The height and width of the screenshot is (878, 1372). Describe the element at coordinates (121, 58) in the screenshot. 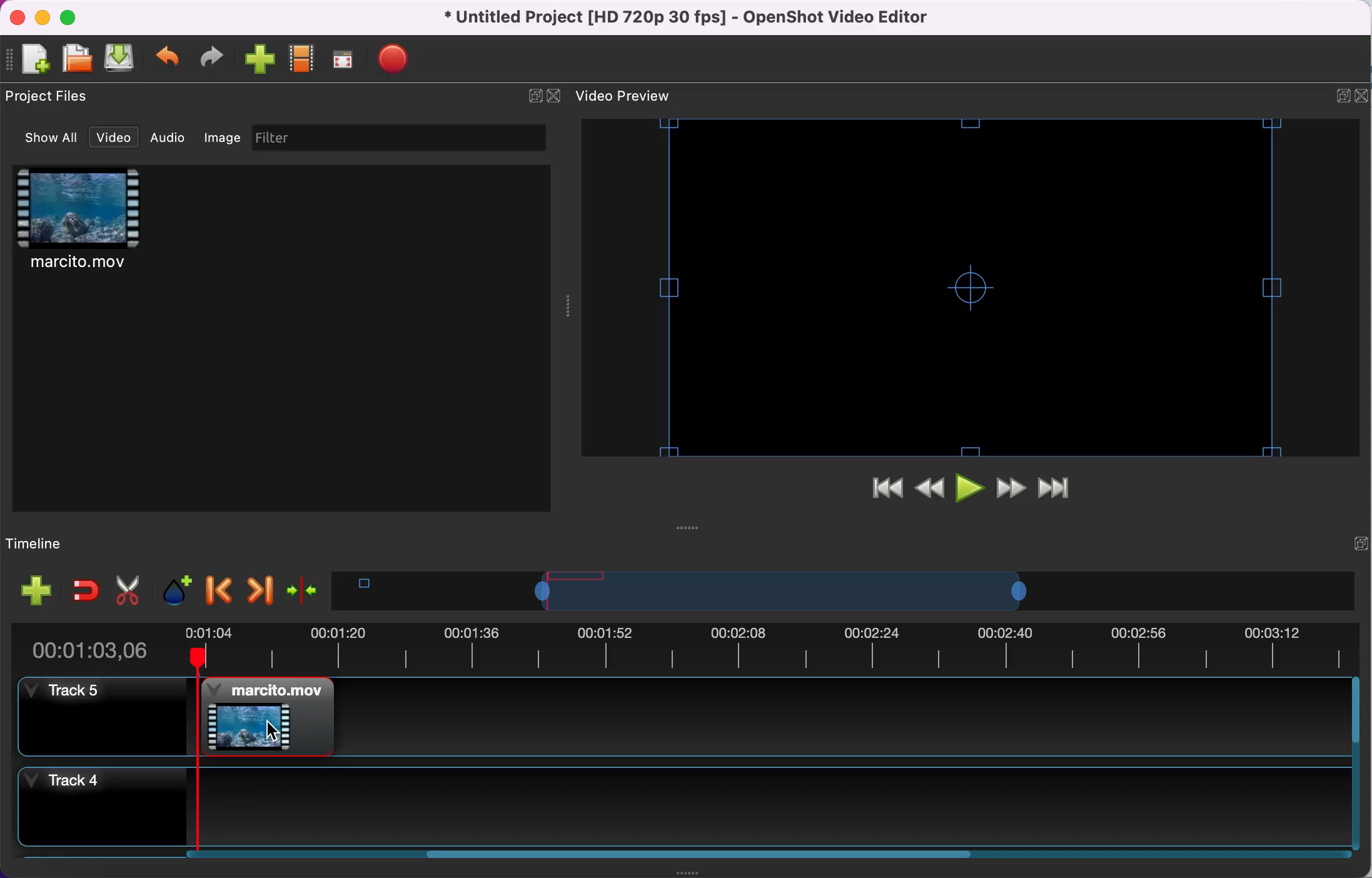

I see `save file` at that location.